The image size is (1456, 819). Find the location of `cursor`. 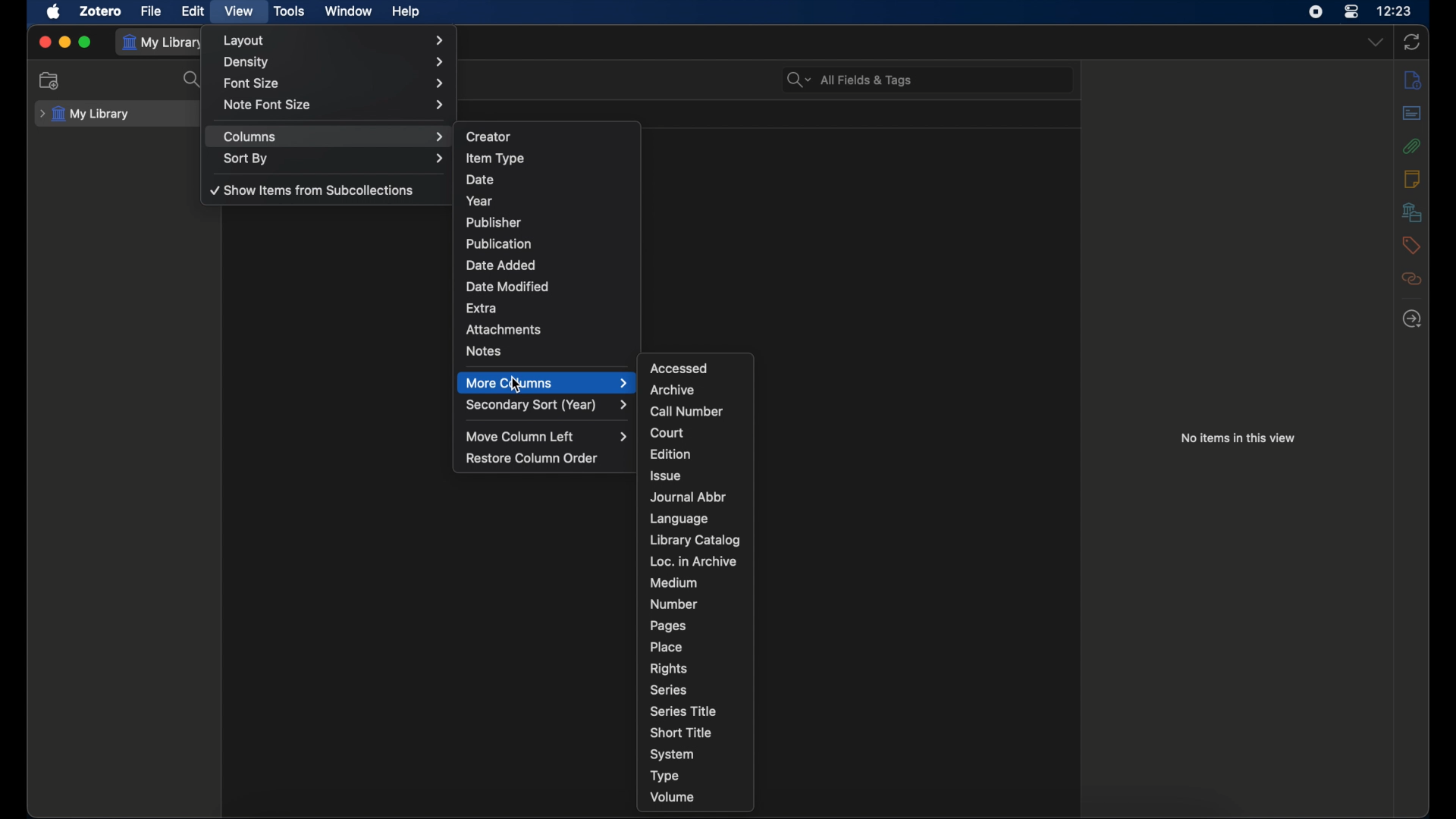

cursor is located at coordinates (516, 385).